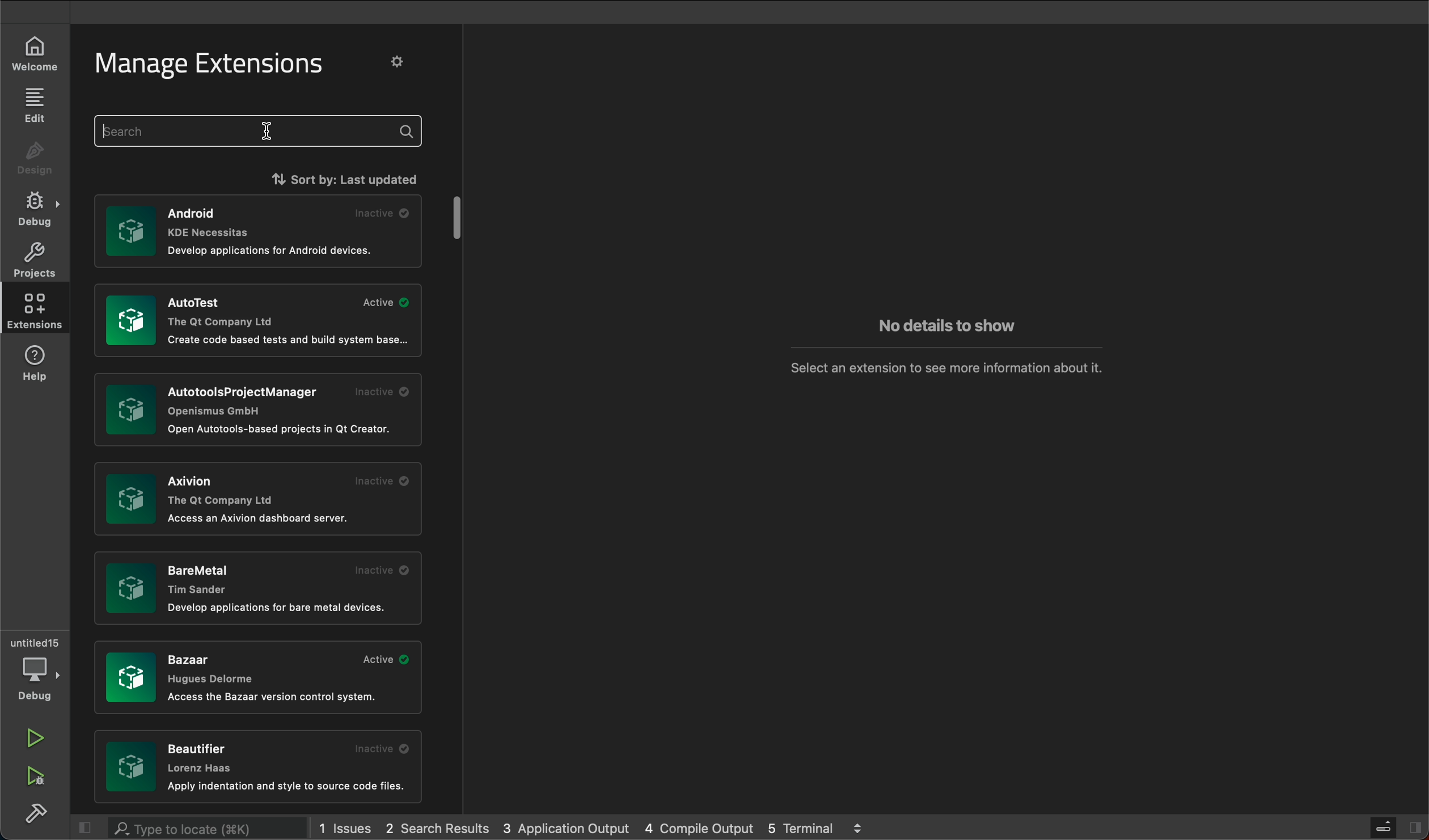 The image size is (1429, 840). What do you see at coordinates (37, 668) in the screenshot?
I see `debuger` at bounding box center [37, 668].